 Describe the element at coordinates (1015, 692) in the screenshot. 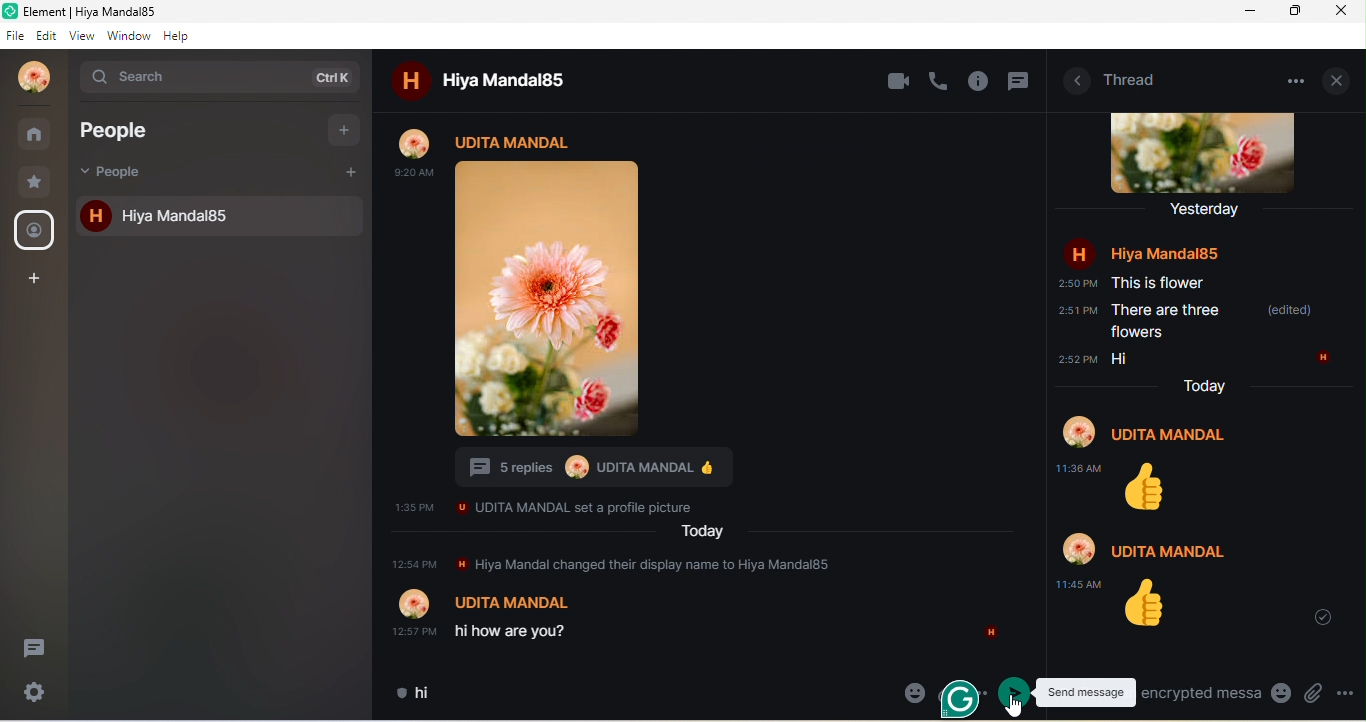

I see `send message` at that location.